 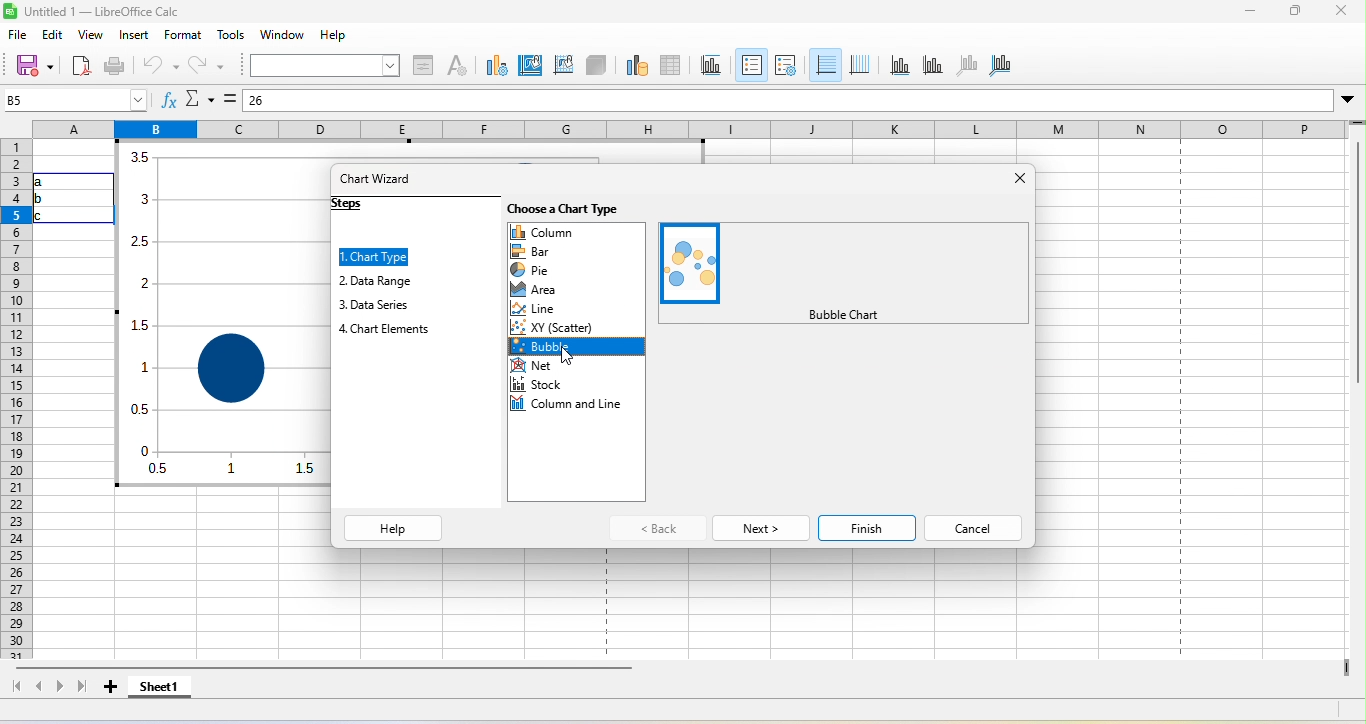 What do you see at coordinates (84, 689) in the screenshot?
I see `last sheet` at bounding box center [84, 689].